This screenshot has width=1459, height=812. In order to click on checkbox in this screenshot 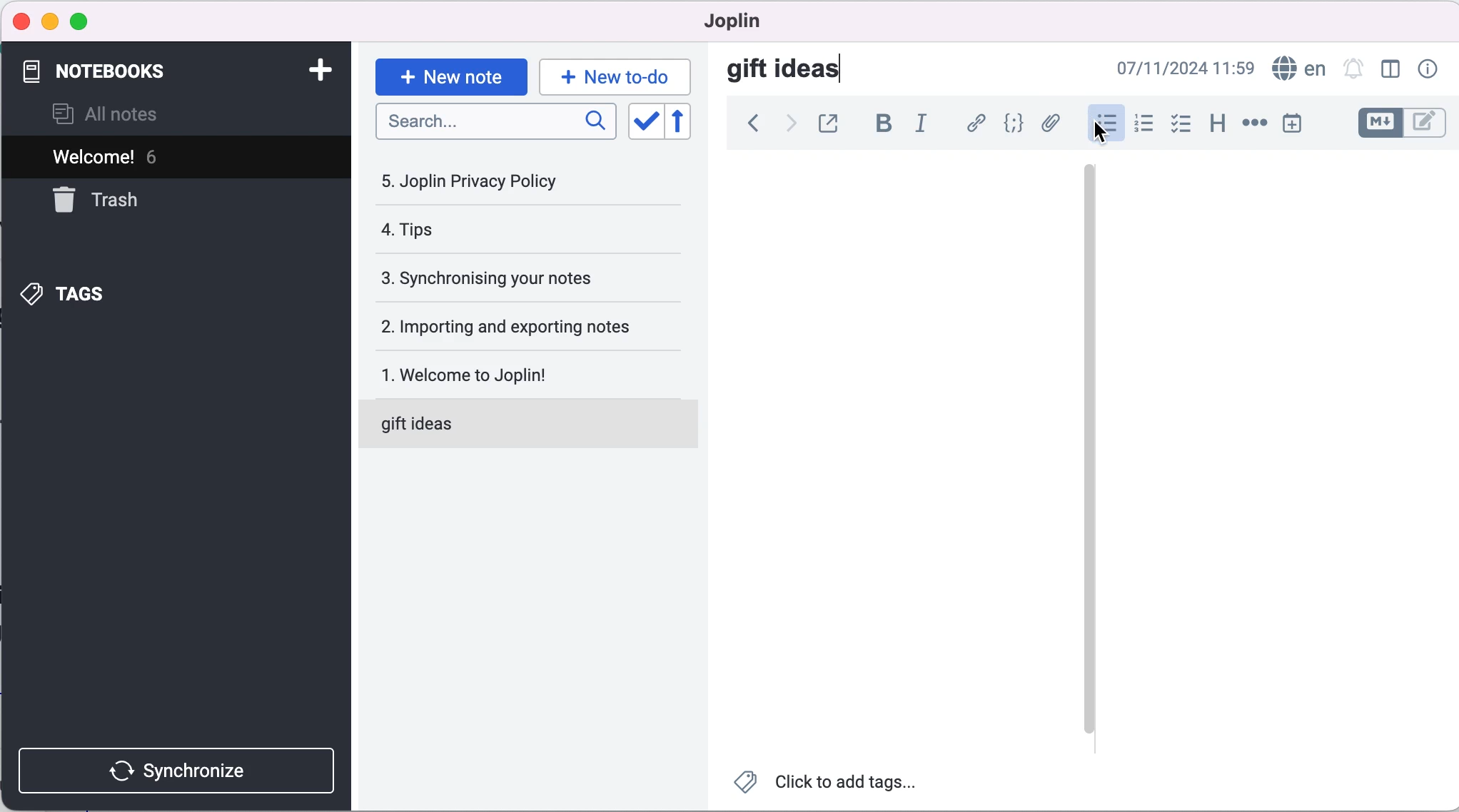, I will do `click(1183, 123)`.